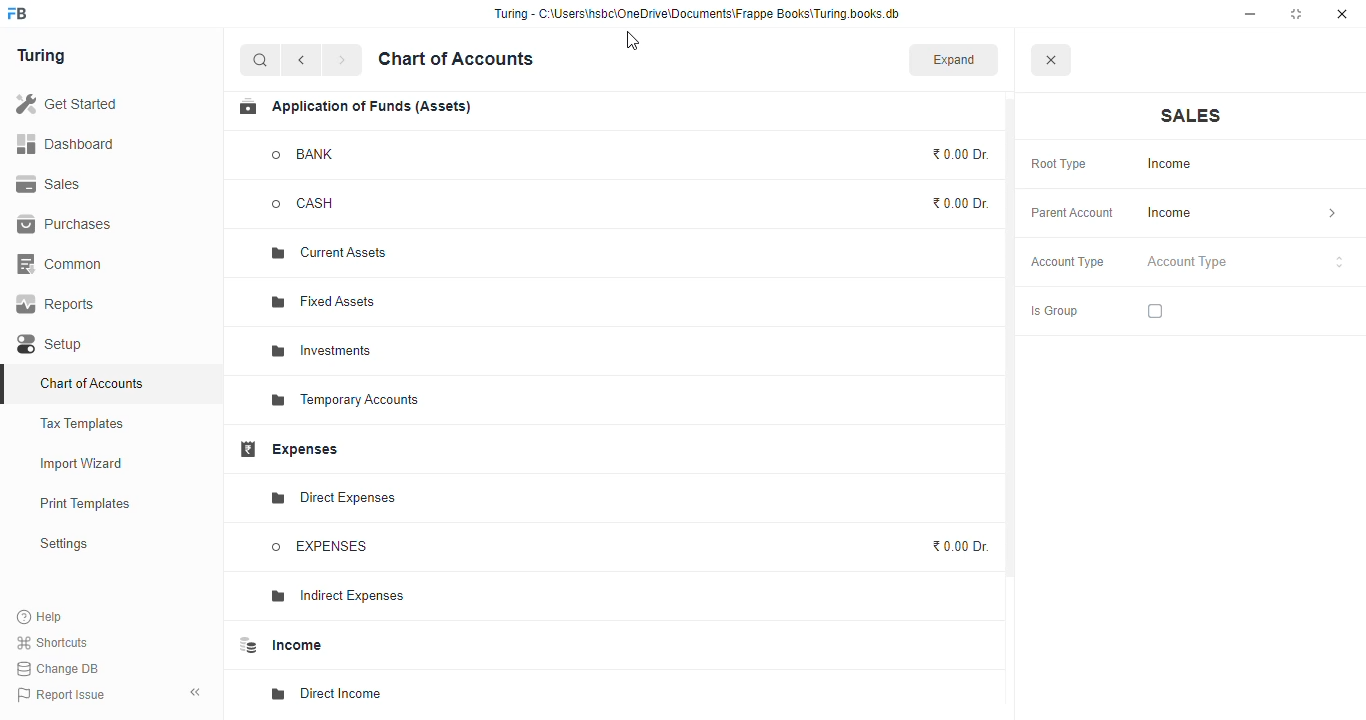 Image resolution: width=1366 pixels, height=720 pixels. Describe the element at coordinates (85, 503) in the screenshot. I see `print templates` at that location.